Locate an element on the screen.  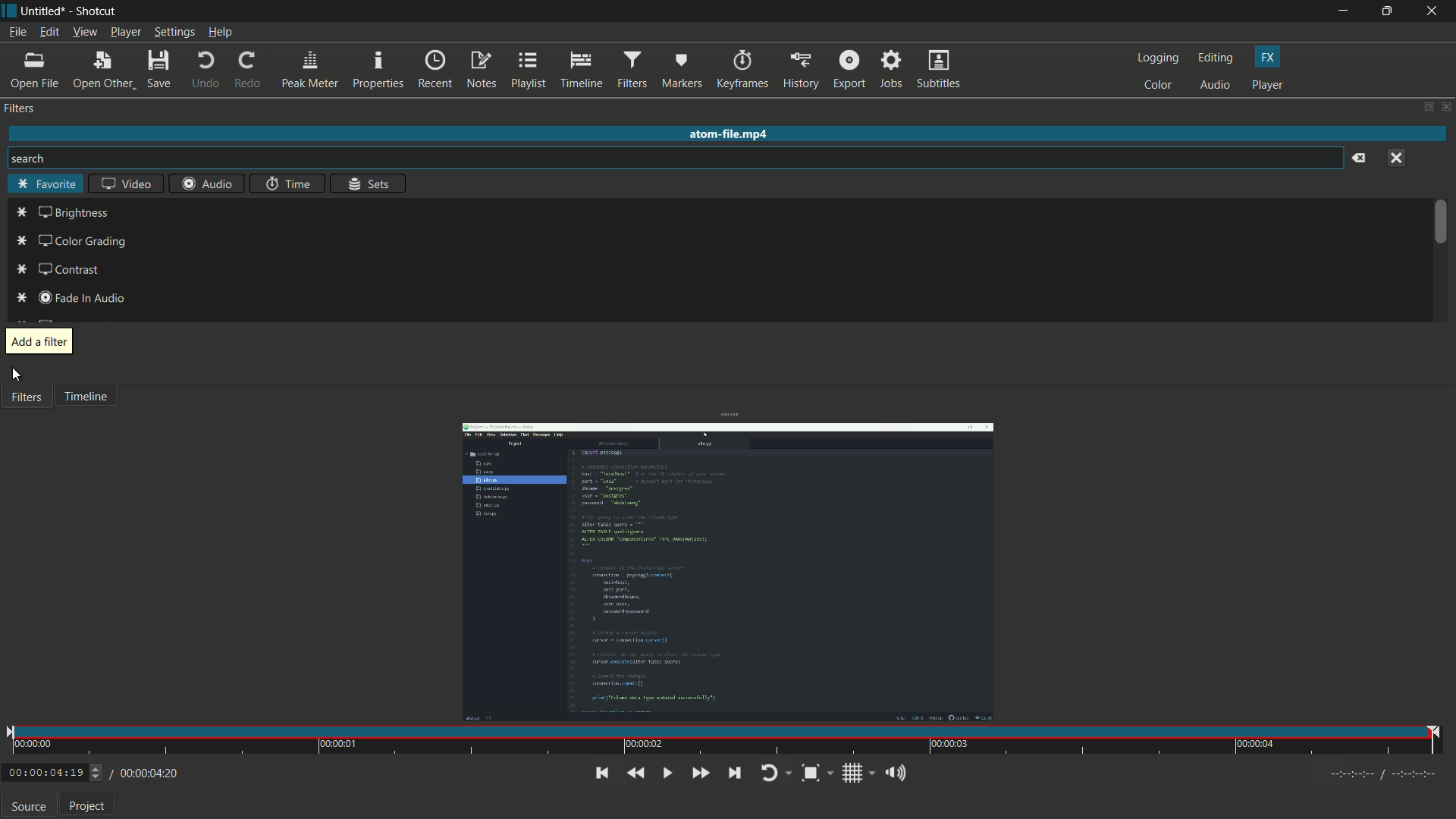
Timeline is located at coordinates (93, 398).